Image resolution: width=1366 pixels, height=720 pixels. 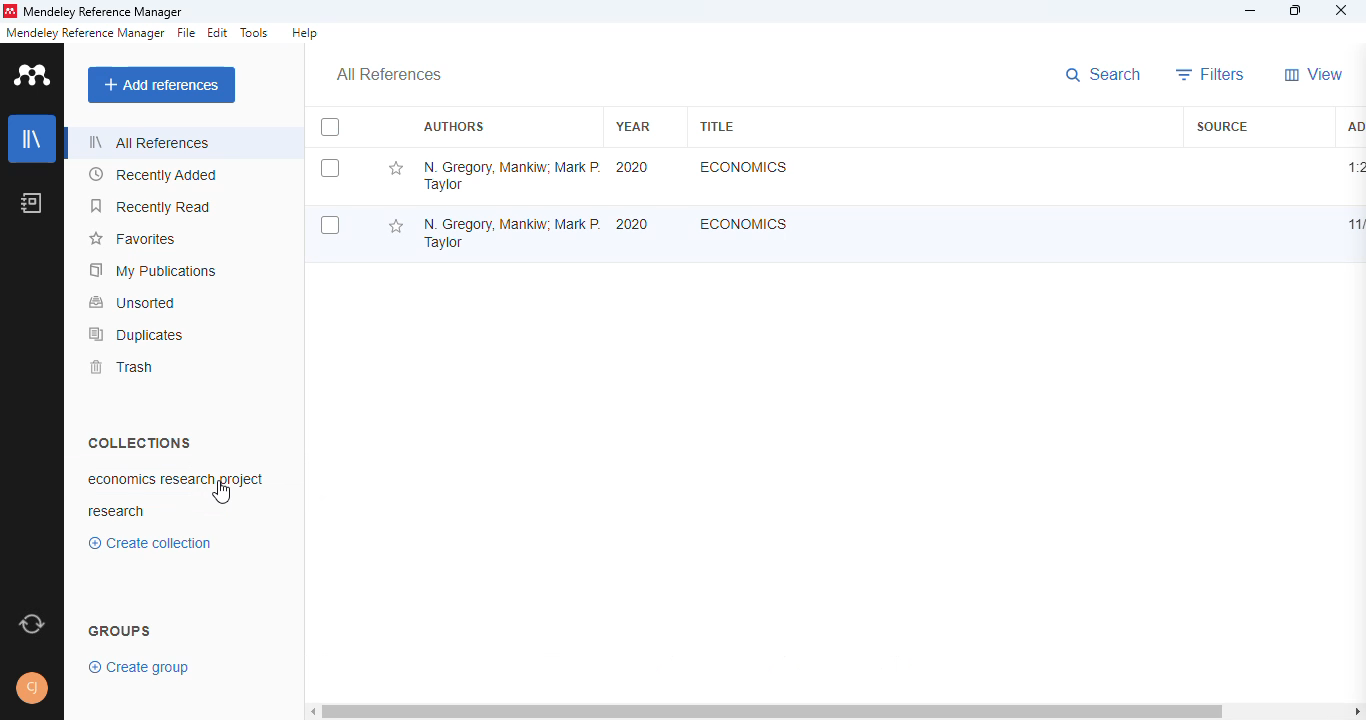 I want to click on year, so click(x=633, y=126).